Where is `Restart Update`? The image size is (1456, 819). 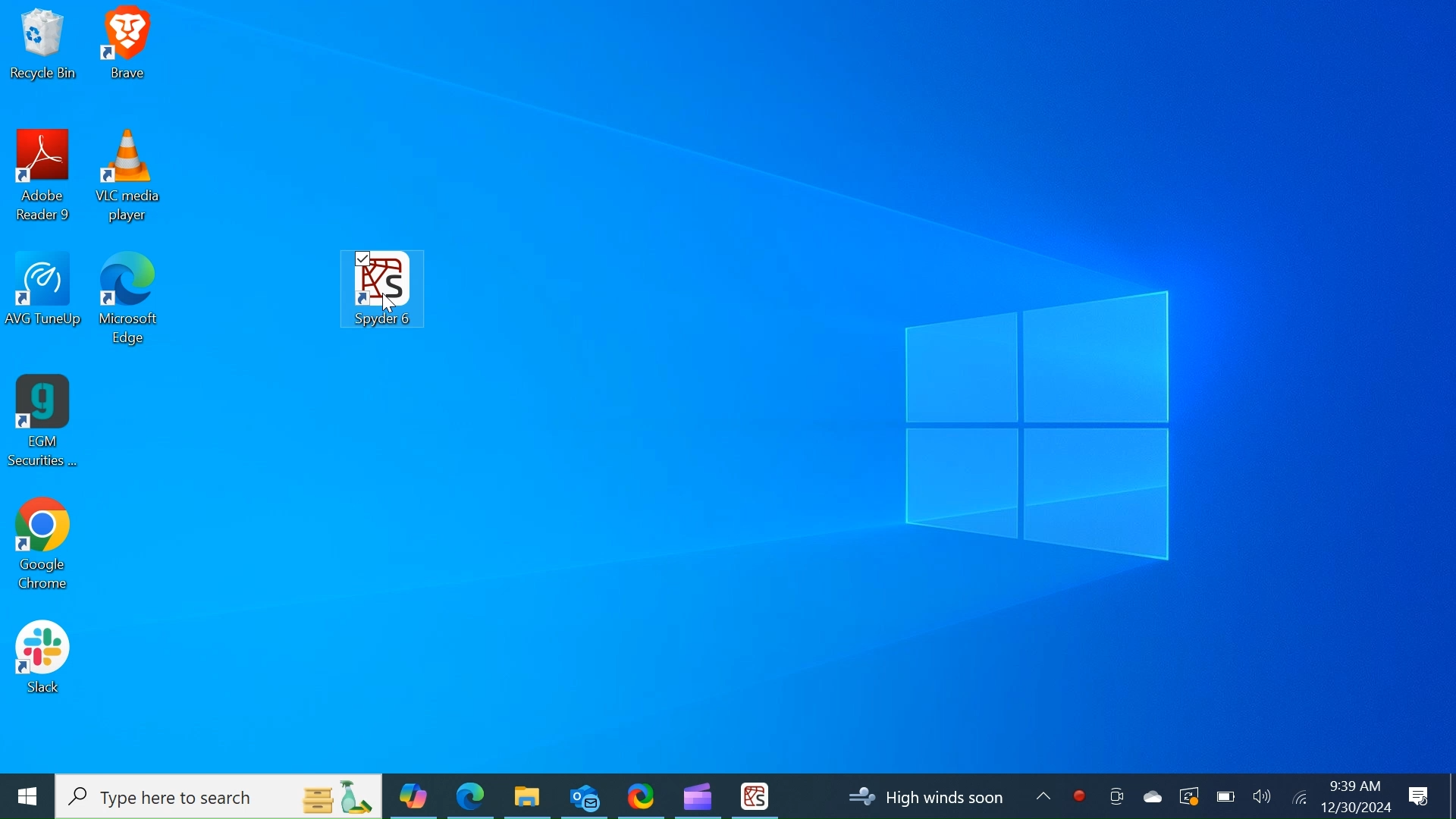 Restart Update is located at coordinates (1187, 795).